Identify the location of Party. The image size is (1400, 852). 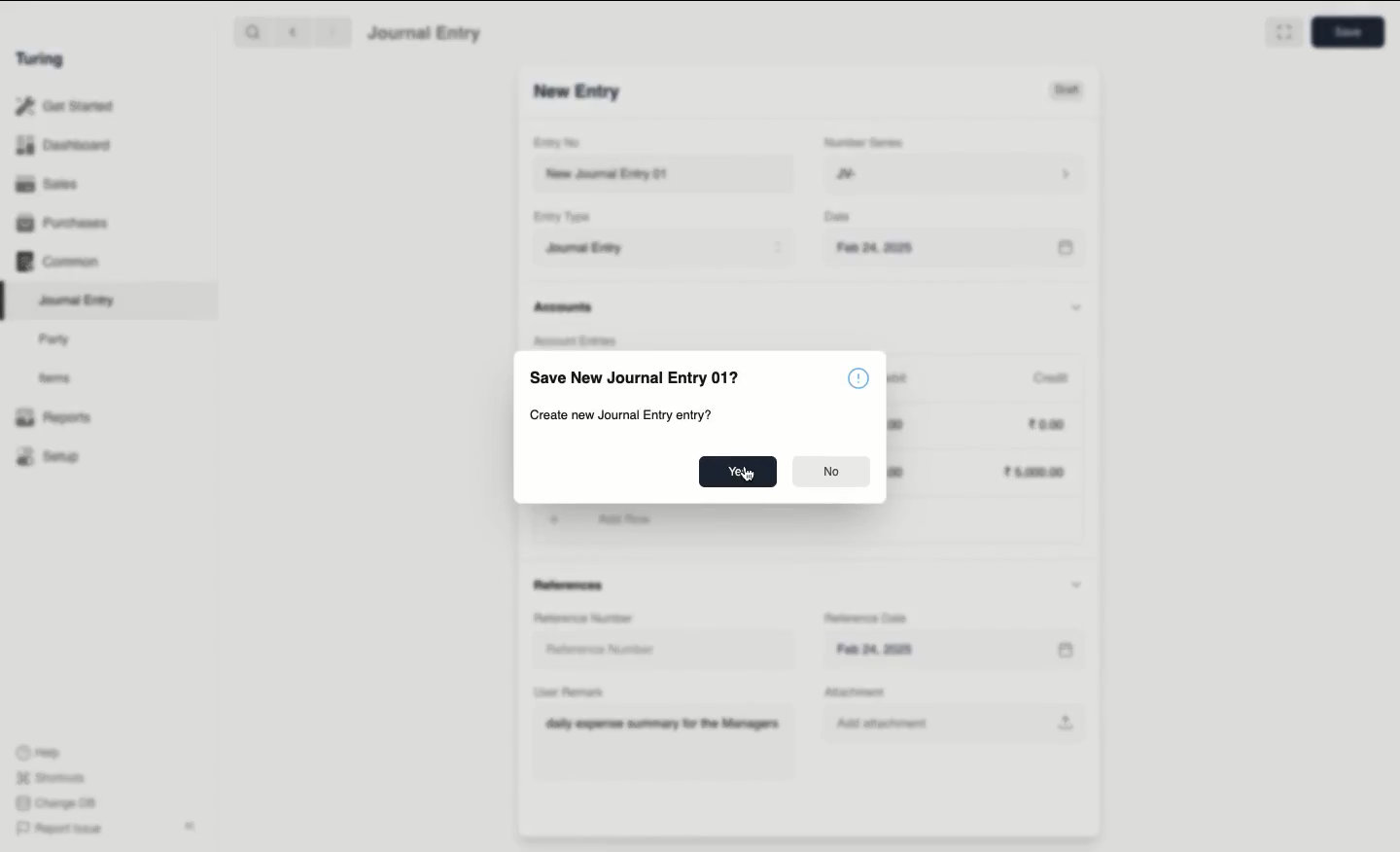
(59, 340).